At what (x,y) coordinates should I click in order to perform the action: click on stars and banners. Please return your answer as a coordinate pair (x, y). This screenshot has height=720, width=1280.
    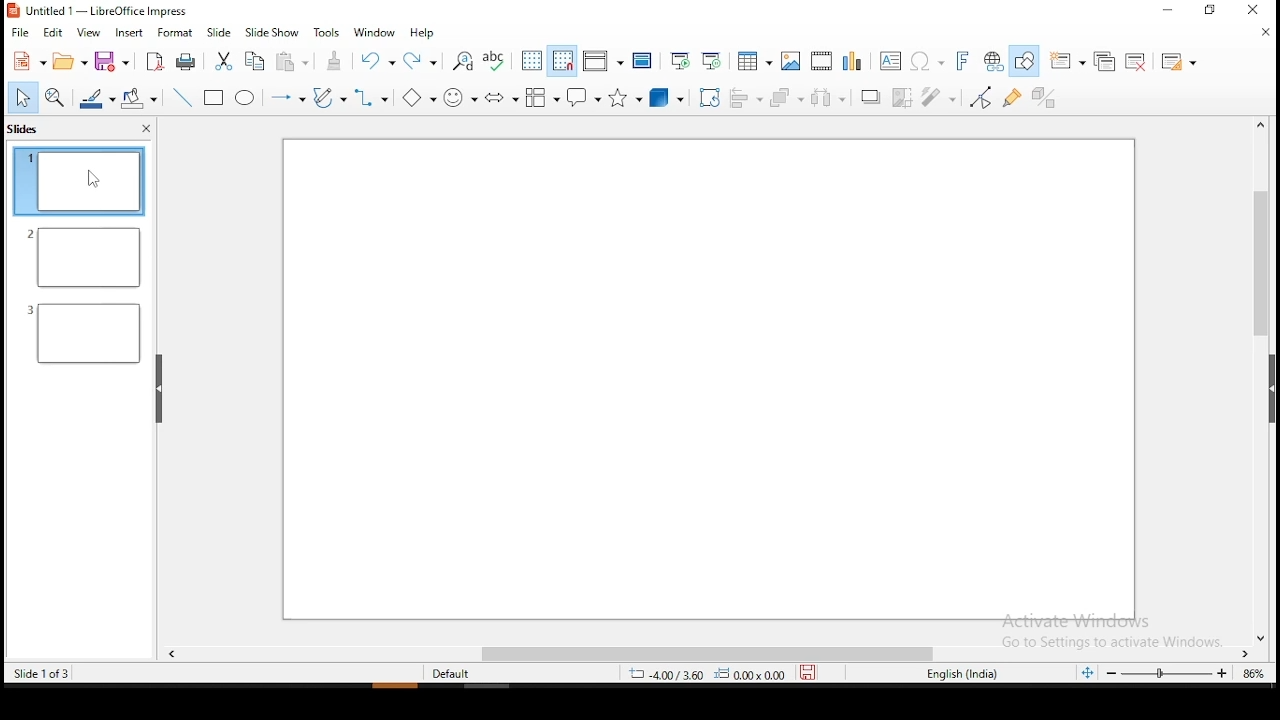
    Looking at the image, I should click on (626, 99).